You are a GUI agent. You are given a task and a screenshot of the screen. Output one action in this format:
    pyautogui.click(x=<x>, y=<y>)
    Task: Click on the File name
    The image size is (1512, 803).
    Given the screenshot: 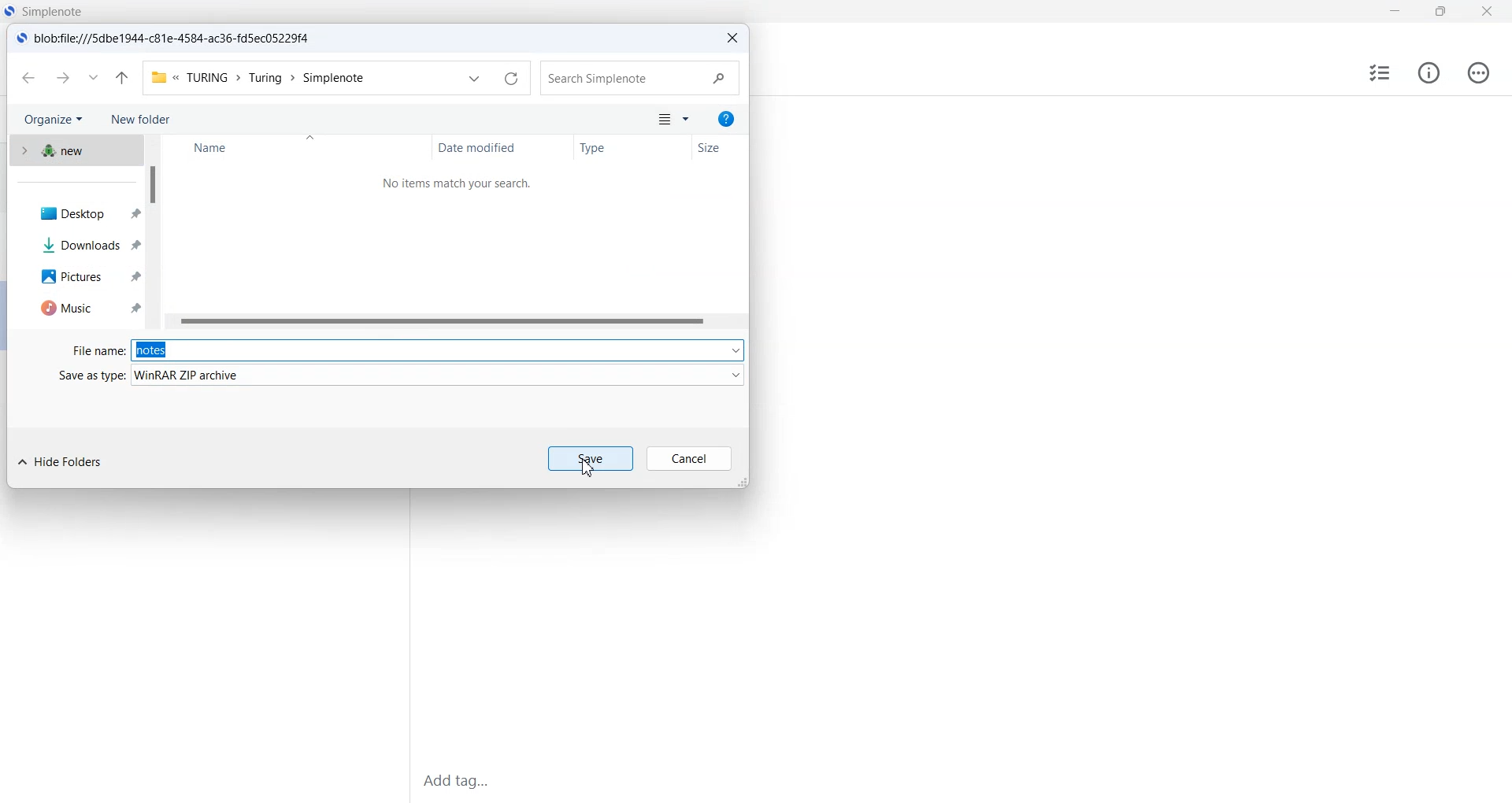 What is the action you would take?
    pyautogui.click(x=96, y=350)
    